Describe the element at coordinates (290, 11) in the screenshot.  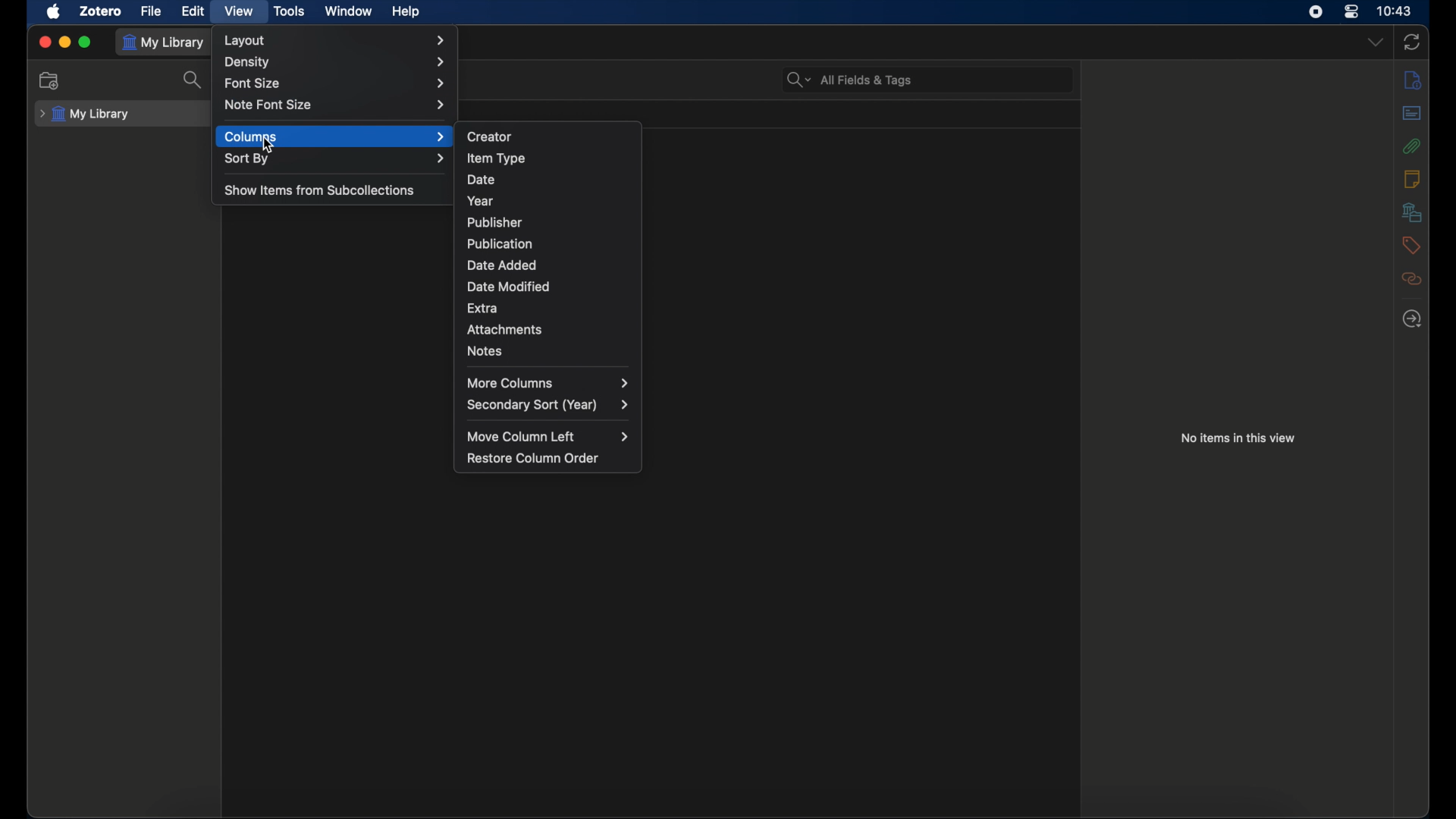
I see `tools` at that location.